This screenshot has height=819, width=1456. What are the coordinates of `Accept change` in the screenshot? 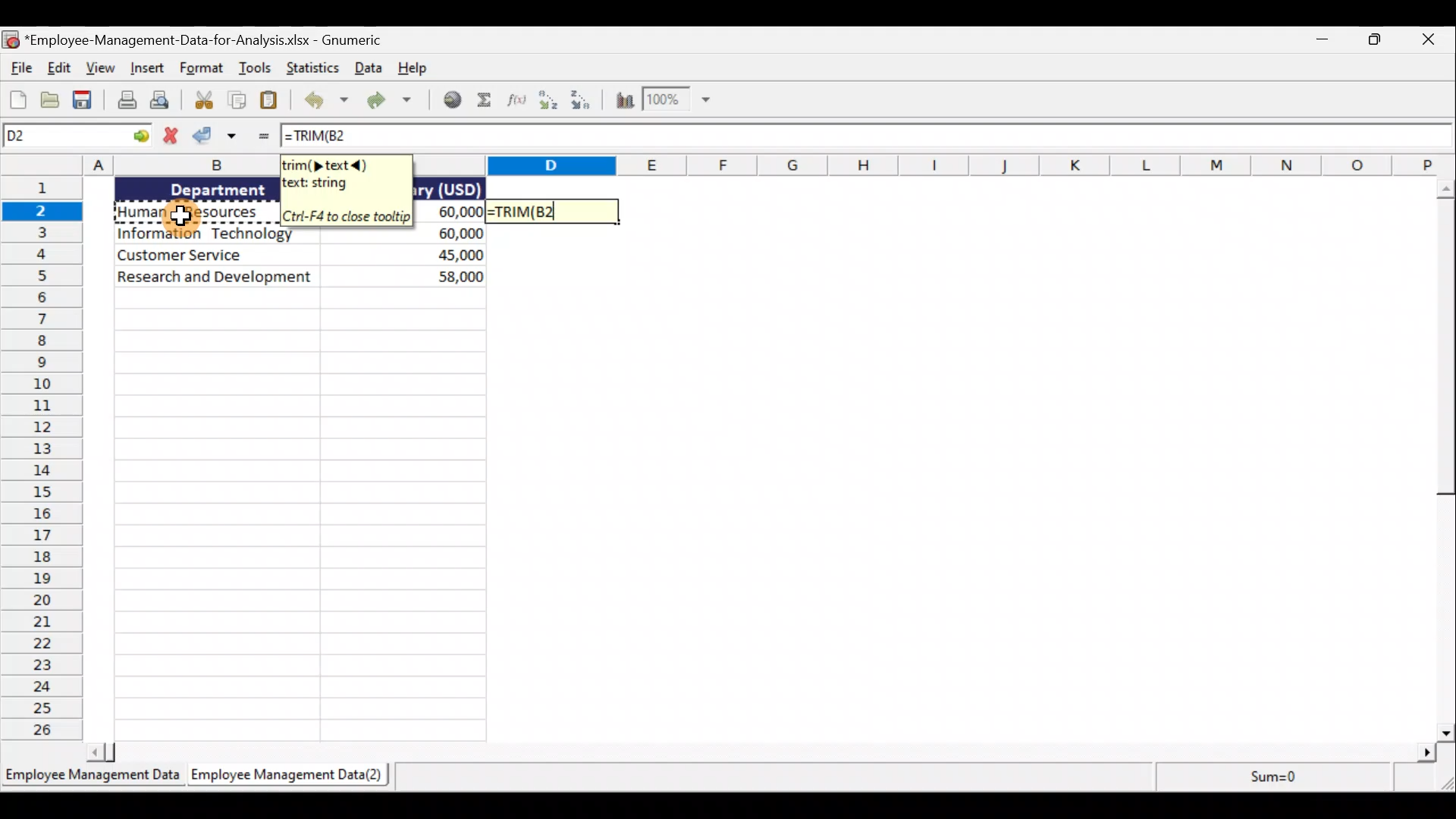 It's located at (220, 136).